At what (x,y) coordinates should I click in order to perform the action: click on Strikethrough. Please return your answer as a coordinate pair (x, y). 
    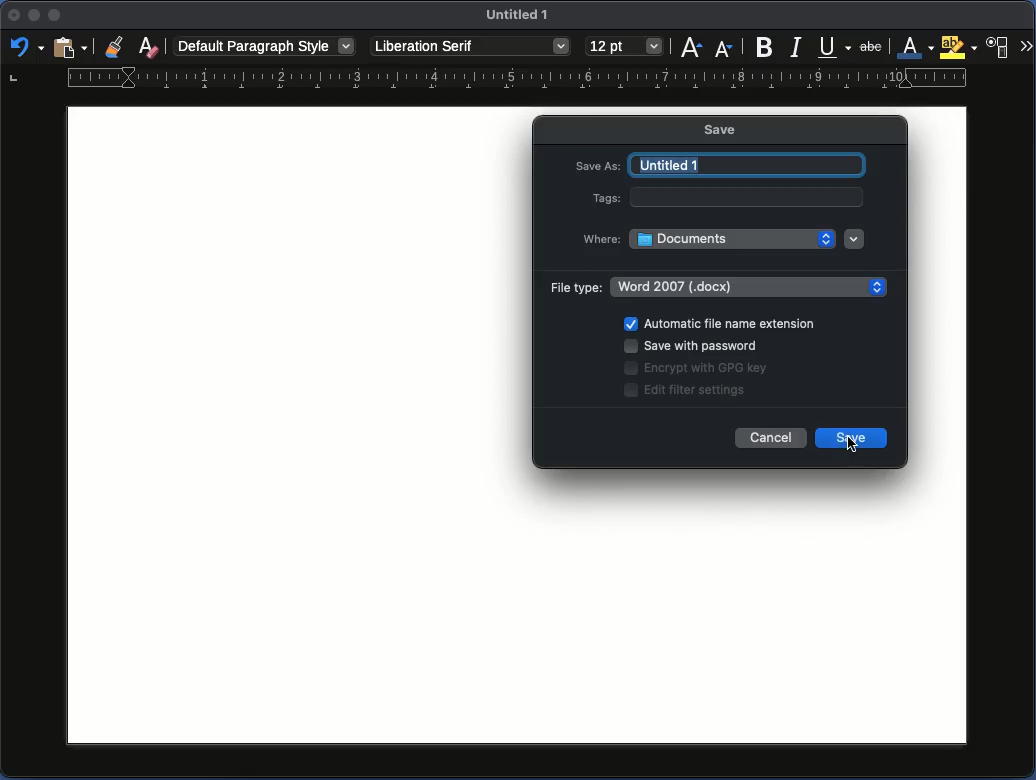
    Looking at the image, I should click on (873, 45).